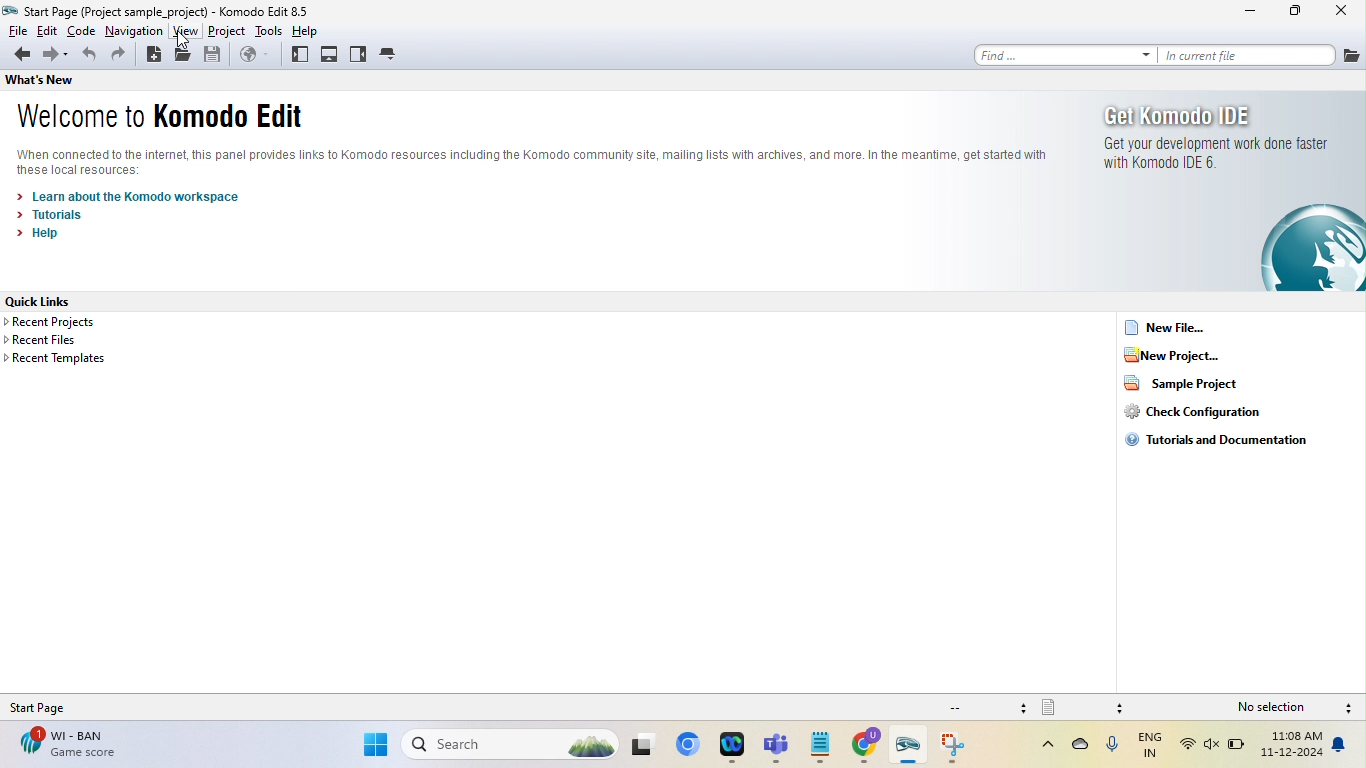 This screenshot has width=1366, height=768. What do you see at coordinates (821, 746) in the screenshot?
I see `apps on taskbar` at bounding box center [821, 746].